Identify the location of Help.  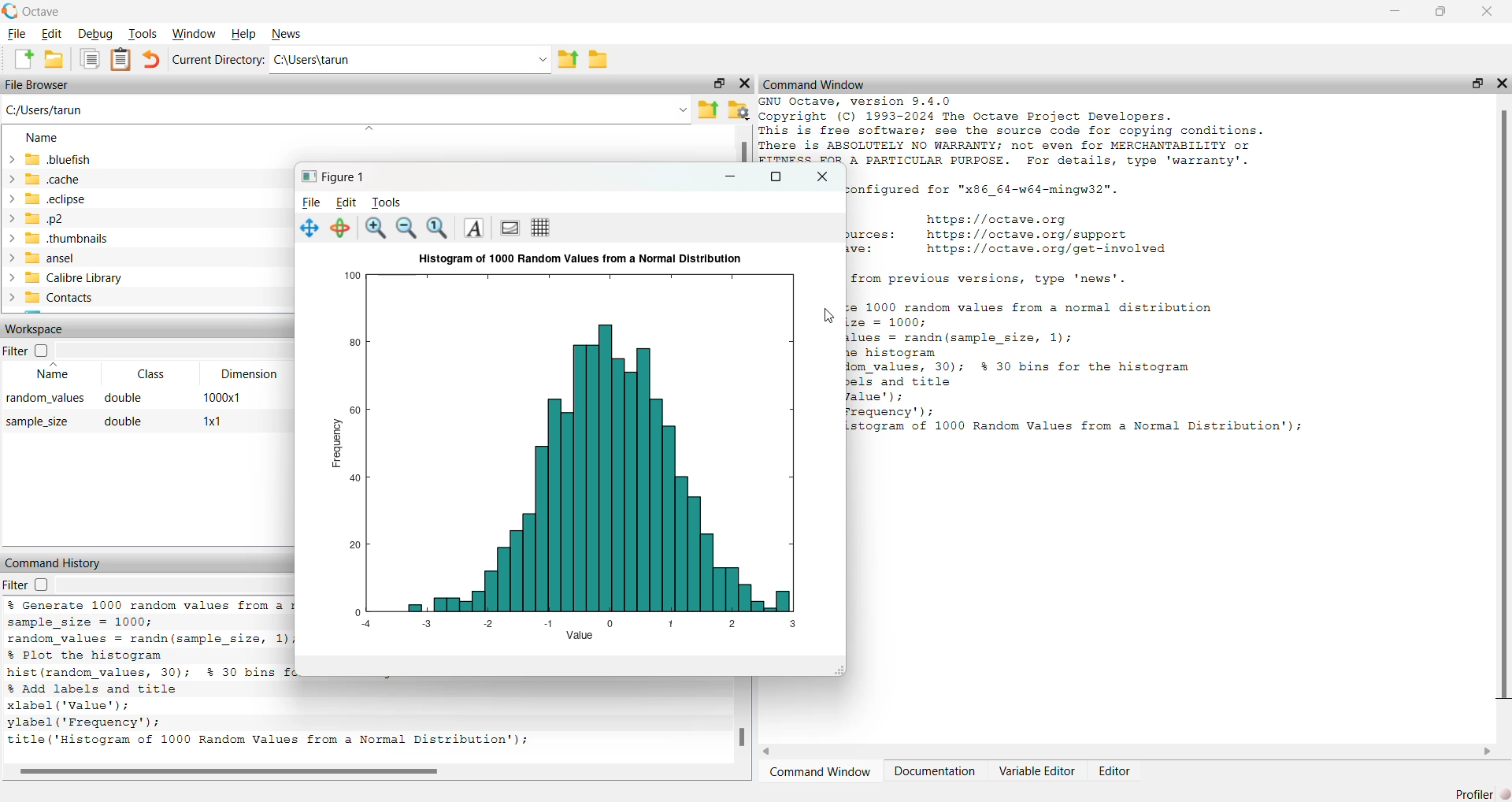
(246, 35).